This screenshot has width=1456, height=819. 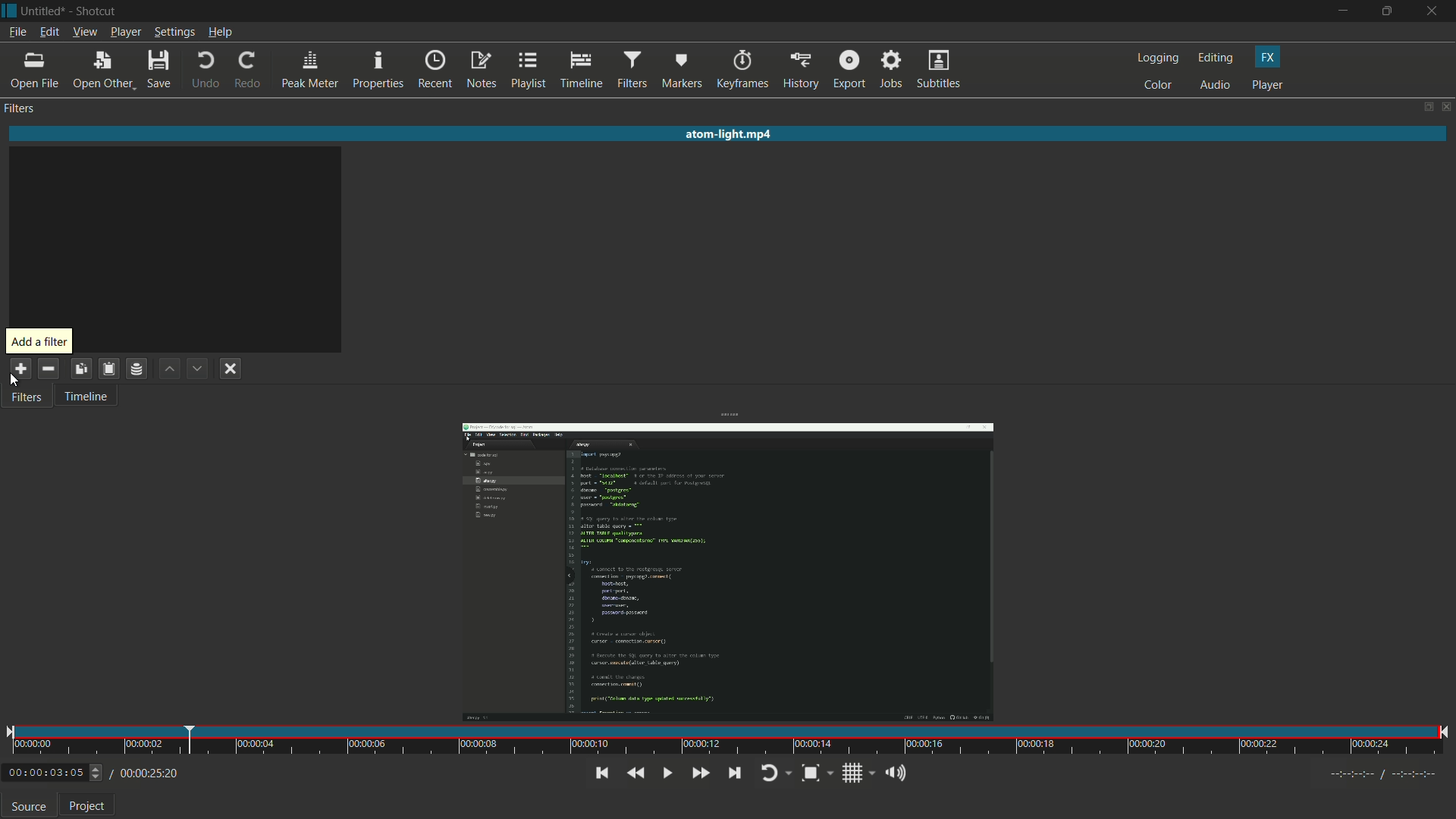 What do you see at coordinates (730, 739) in the screenshot?
I see `time` at bounding box center [730, 739].